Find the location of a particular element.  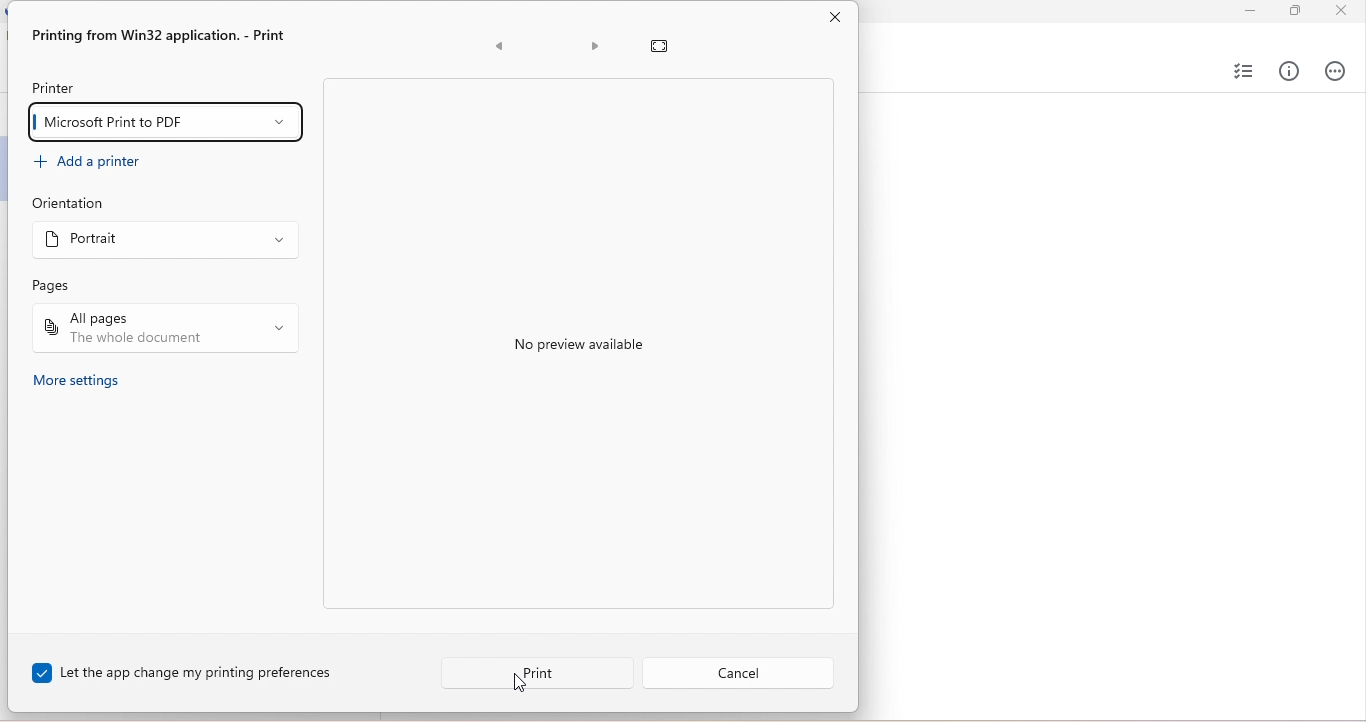

pages is located at coordinates (49, 286).